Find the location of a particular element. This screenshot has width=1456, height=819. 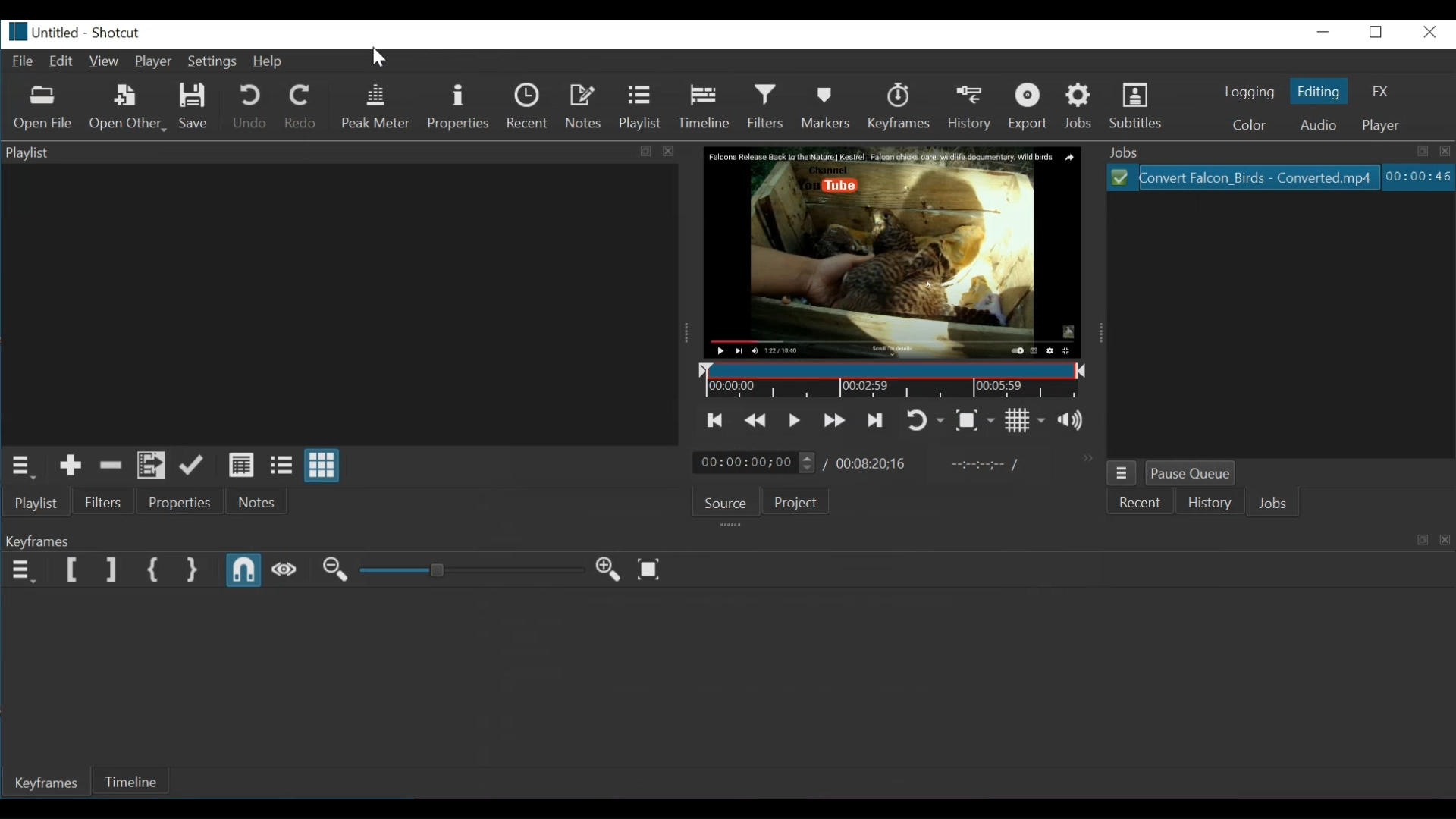

/00:08:20:16(Total Duration) is located at coordinates (867, 463).